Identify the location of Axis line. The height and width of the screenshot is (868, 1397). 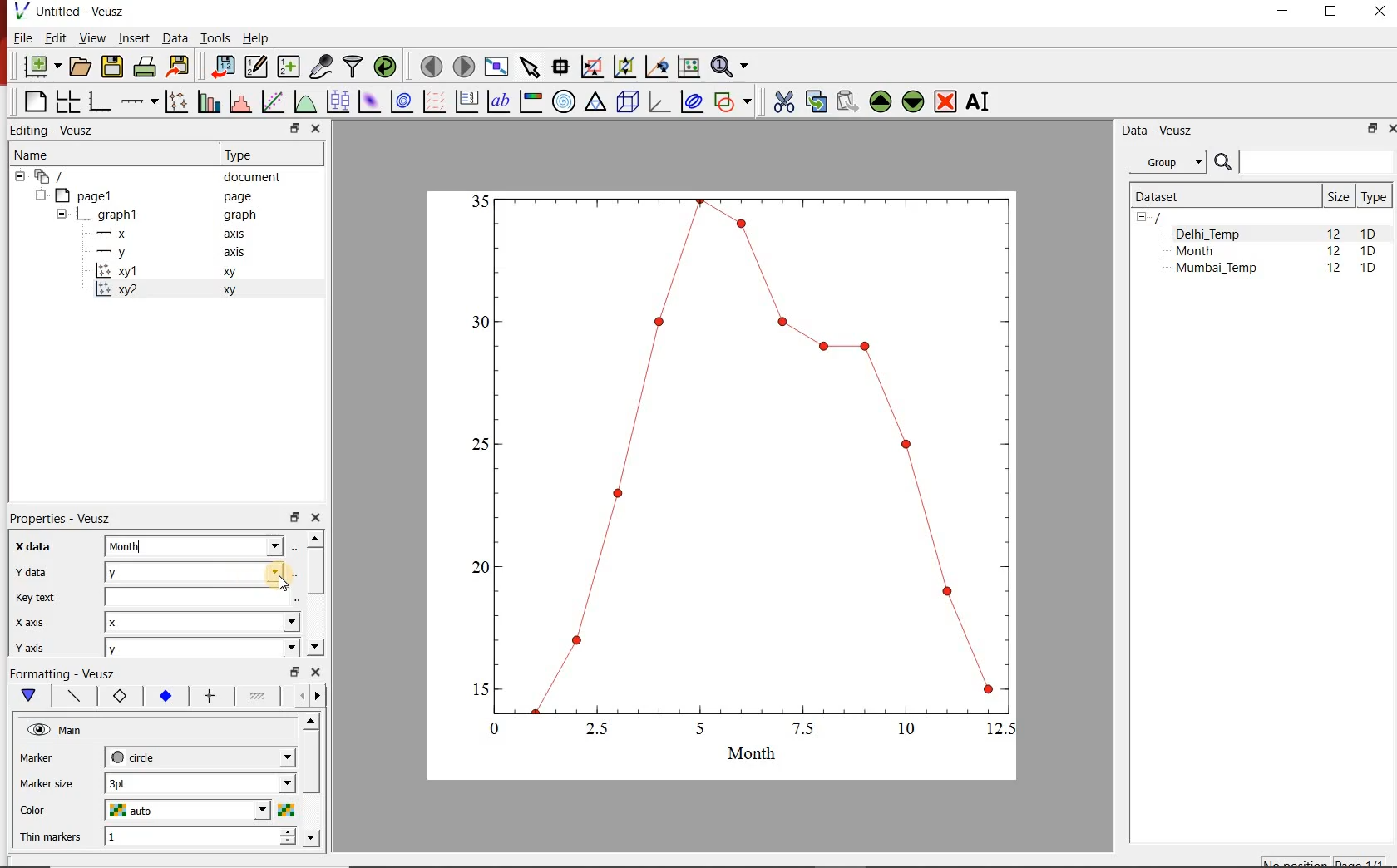
(72, 696).